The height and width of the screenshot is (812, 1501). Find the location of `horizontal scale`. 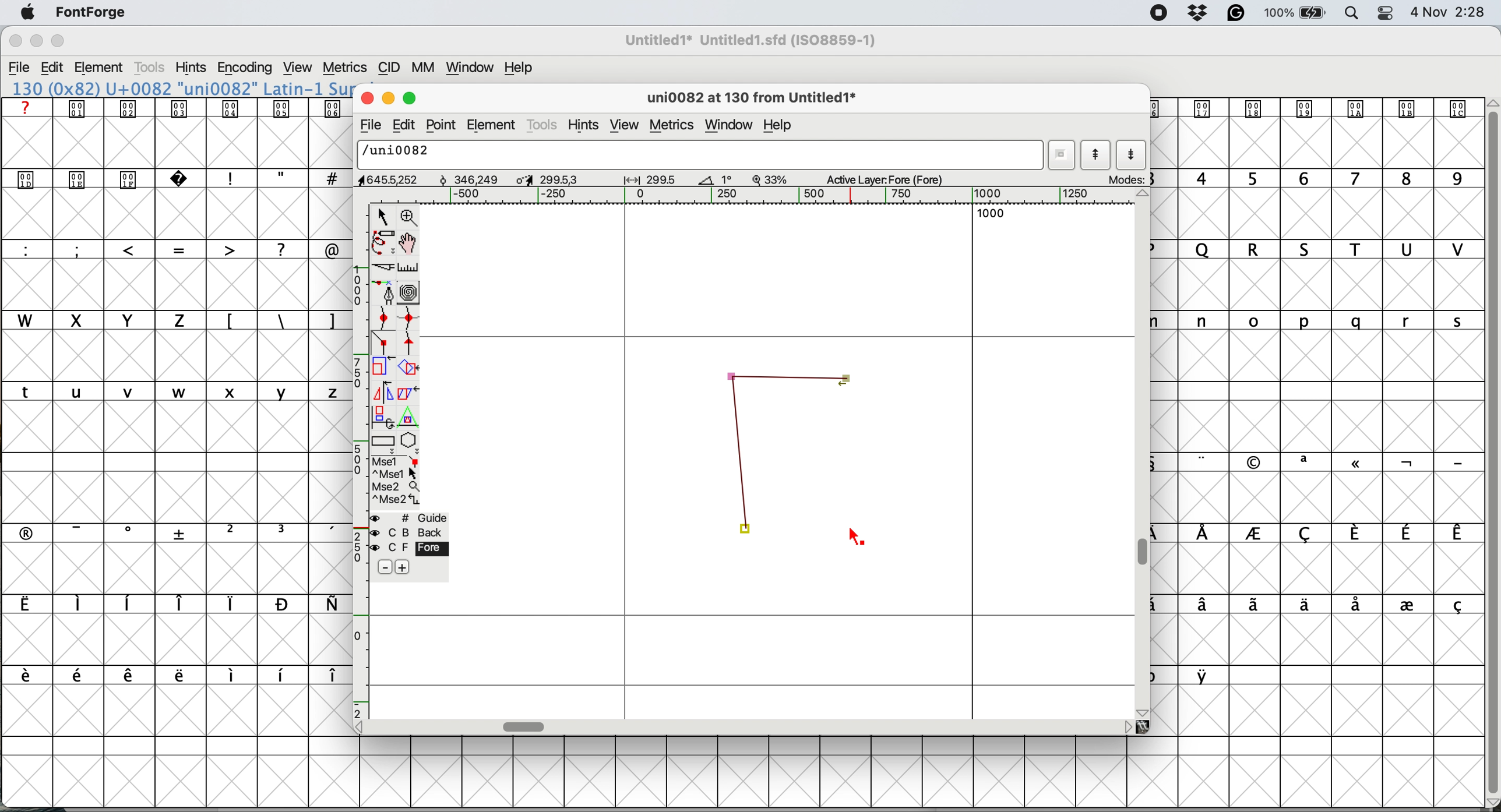

horizontal scale is located at coordinates (769, 196).